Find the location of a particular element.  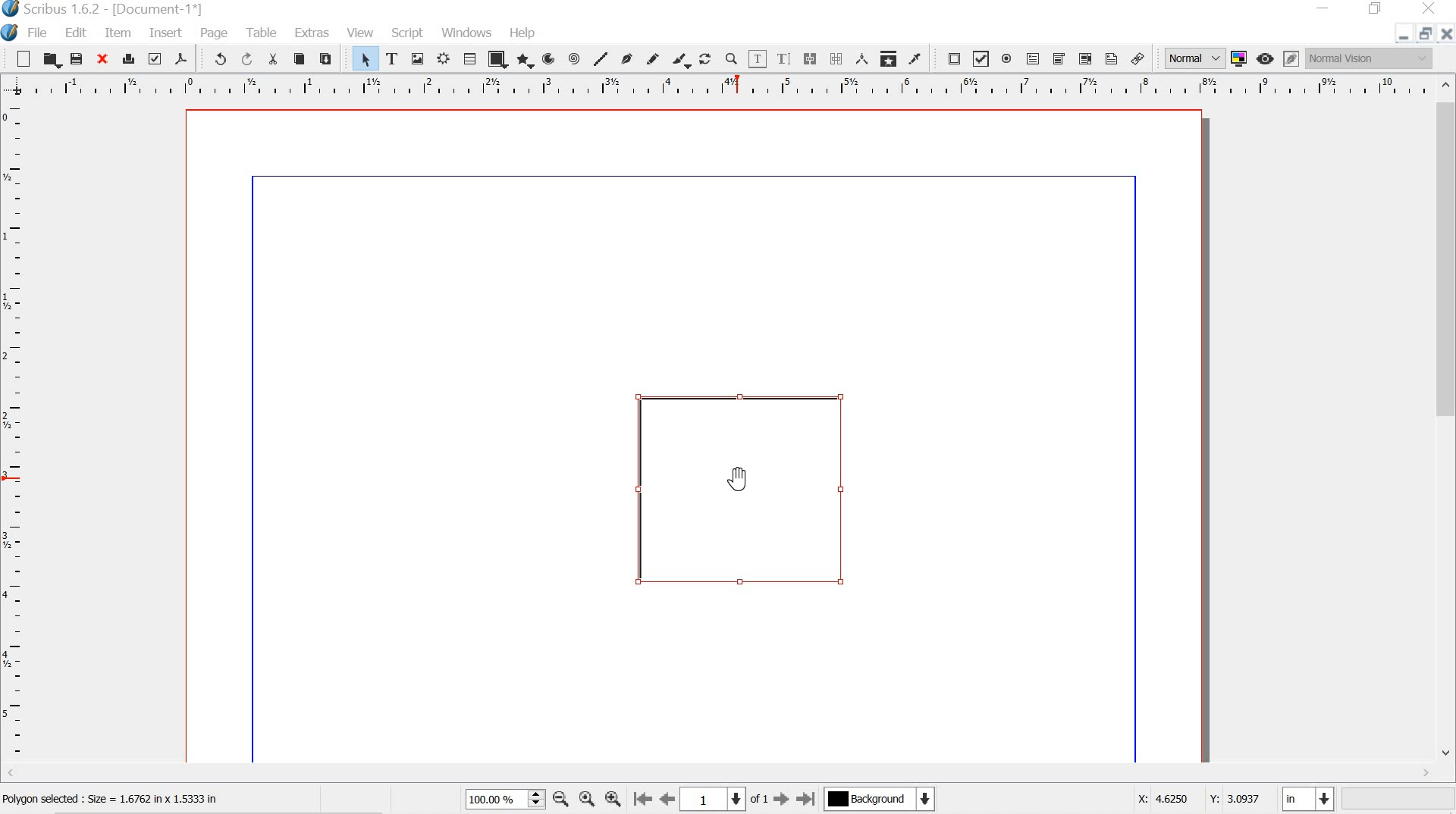

pdf push button is located at coordinates (949, 58).